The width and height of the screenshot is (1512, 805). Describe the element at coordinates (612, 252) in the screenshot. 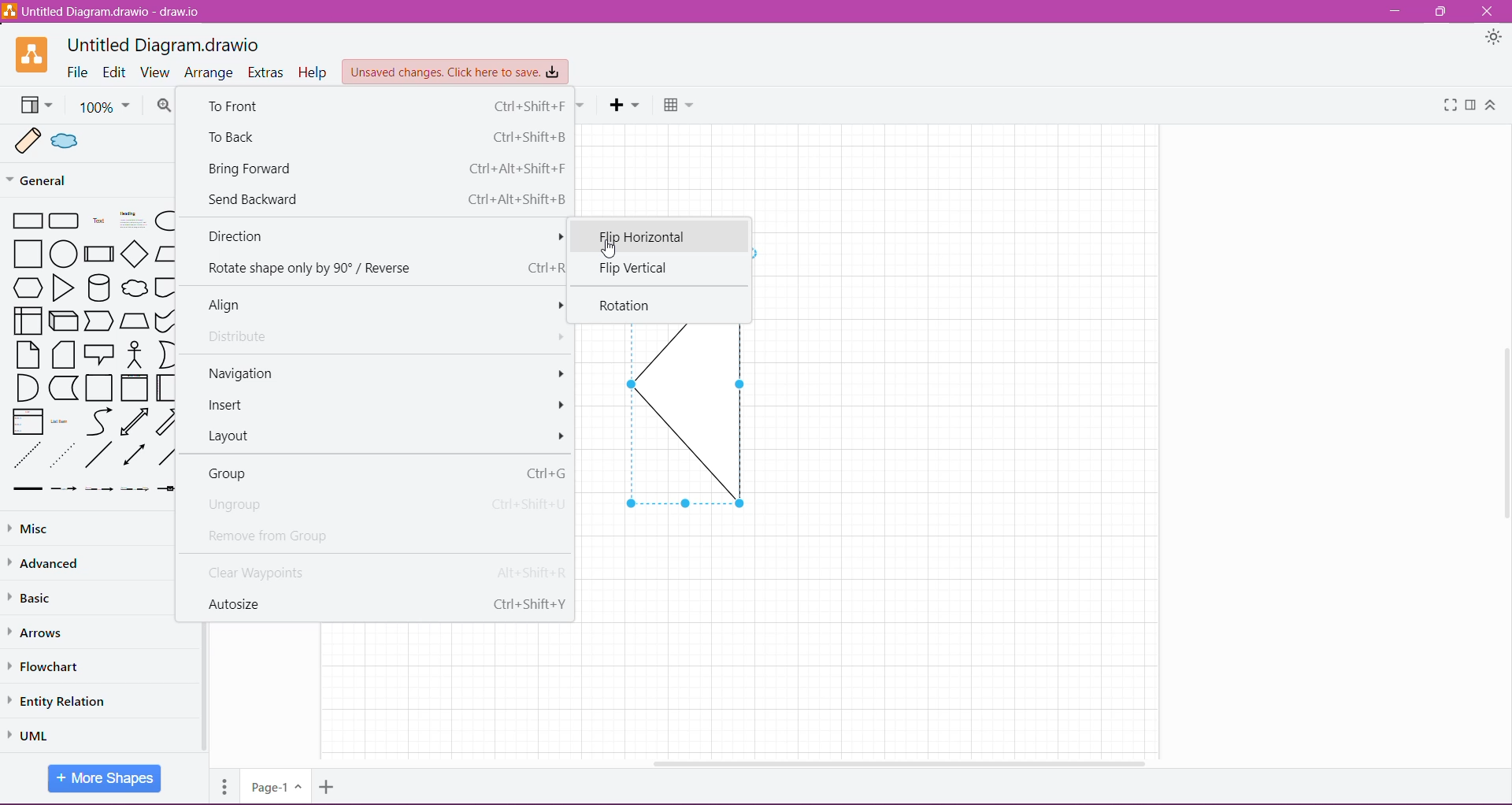

I see `cursor` at that location.